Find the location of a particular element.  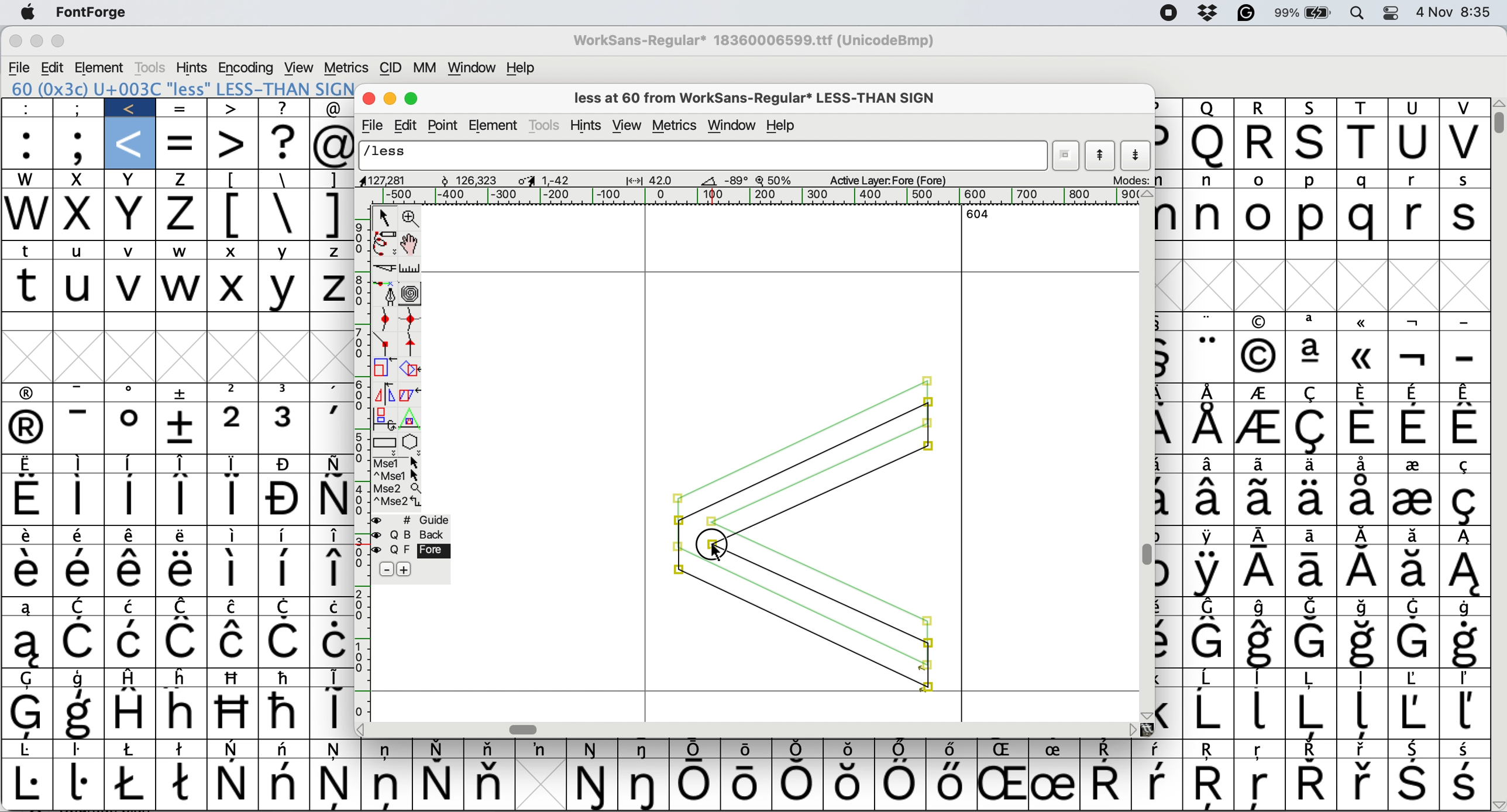

\ is located at coordinates (285, 213).